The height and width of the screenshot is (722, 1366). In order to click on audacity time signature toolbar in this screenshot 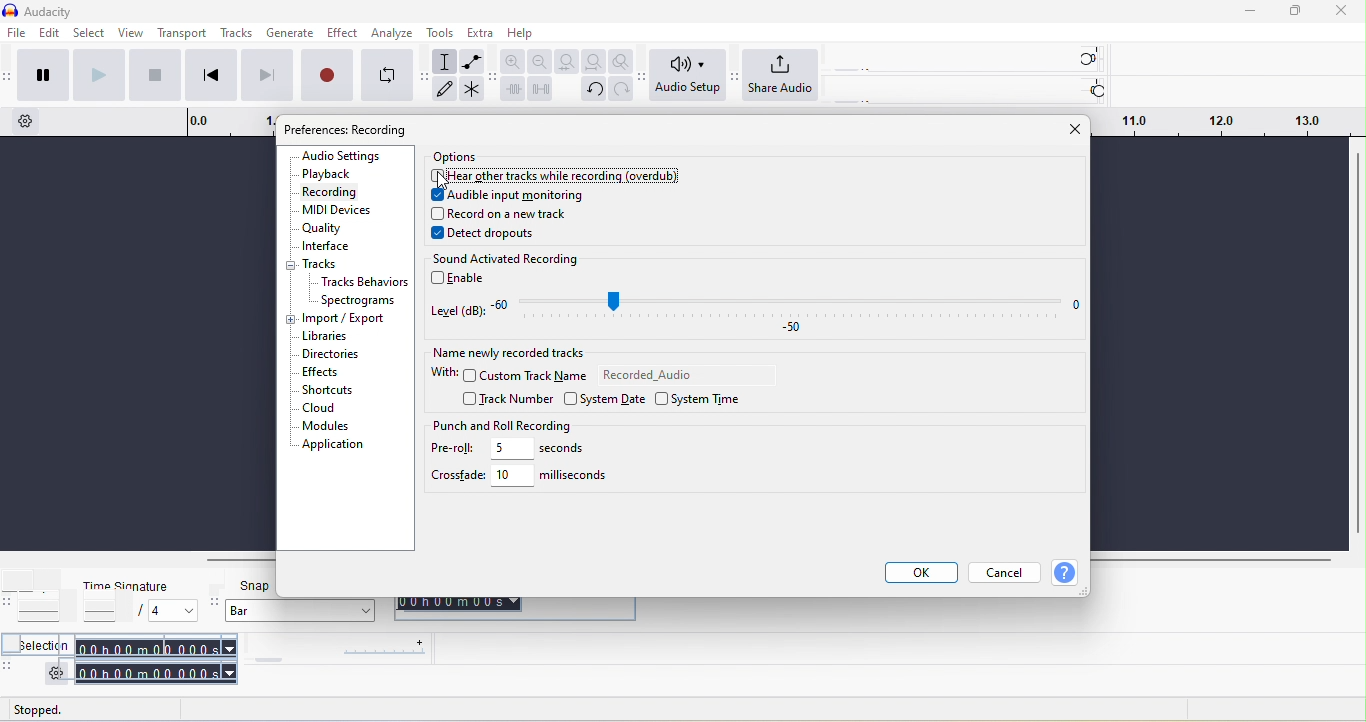, I will do `click(9, 604)`.